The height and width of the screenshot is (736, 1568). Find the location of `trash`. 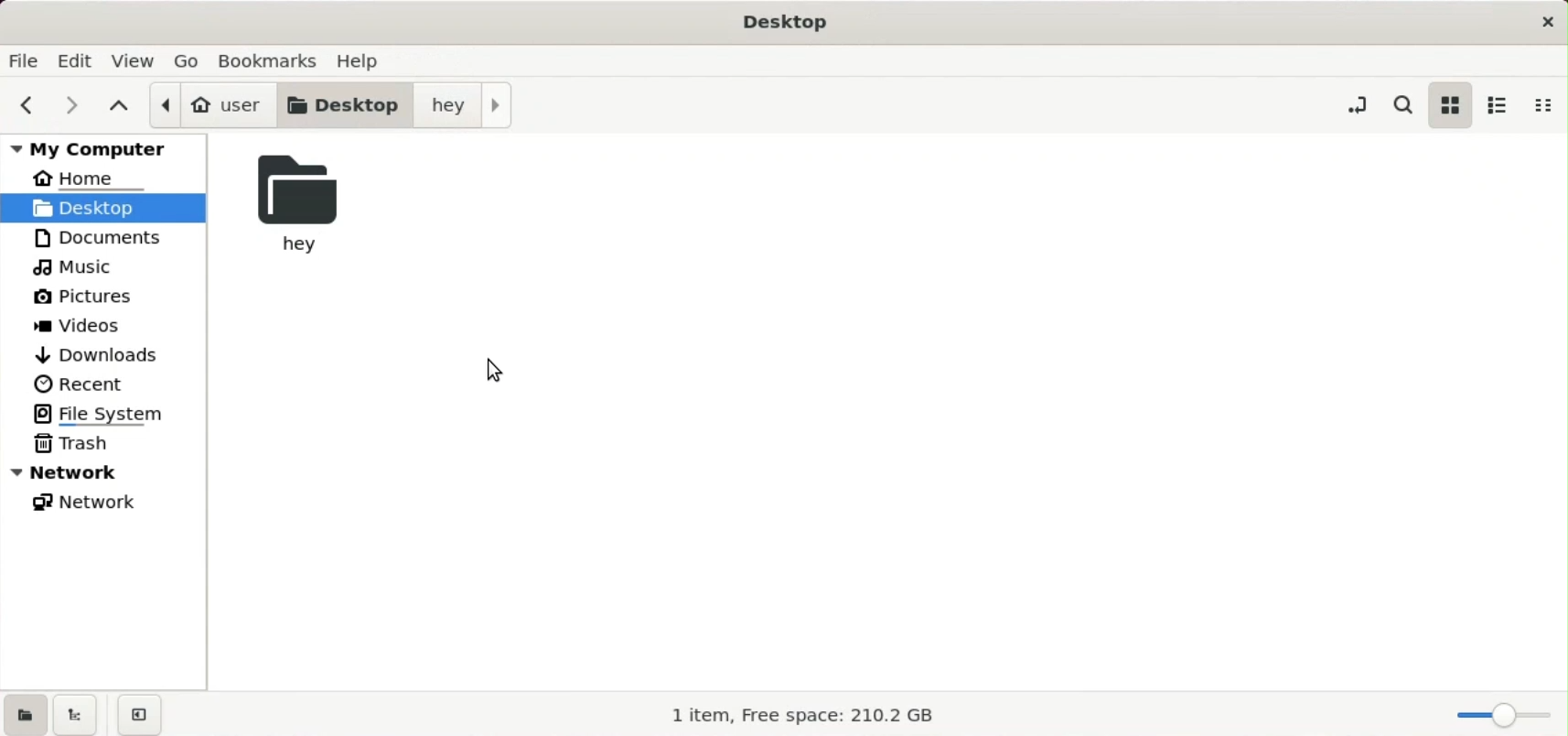

trash is located at coordinates (82, 445).